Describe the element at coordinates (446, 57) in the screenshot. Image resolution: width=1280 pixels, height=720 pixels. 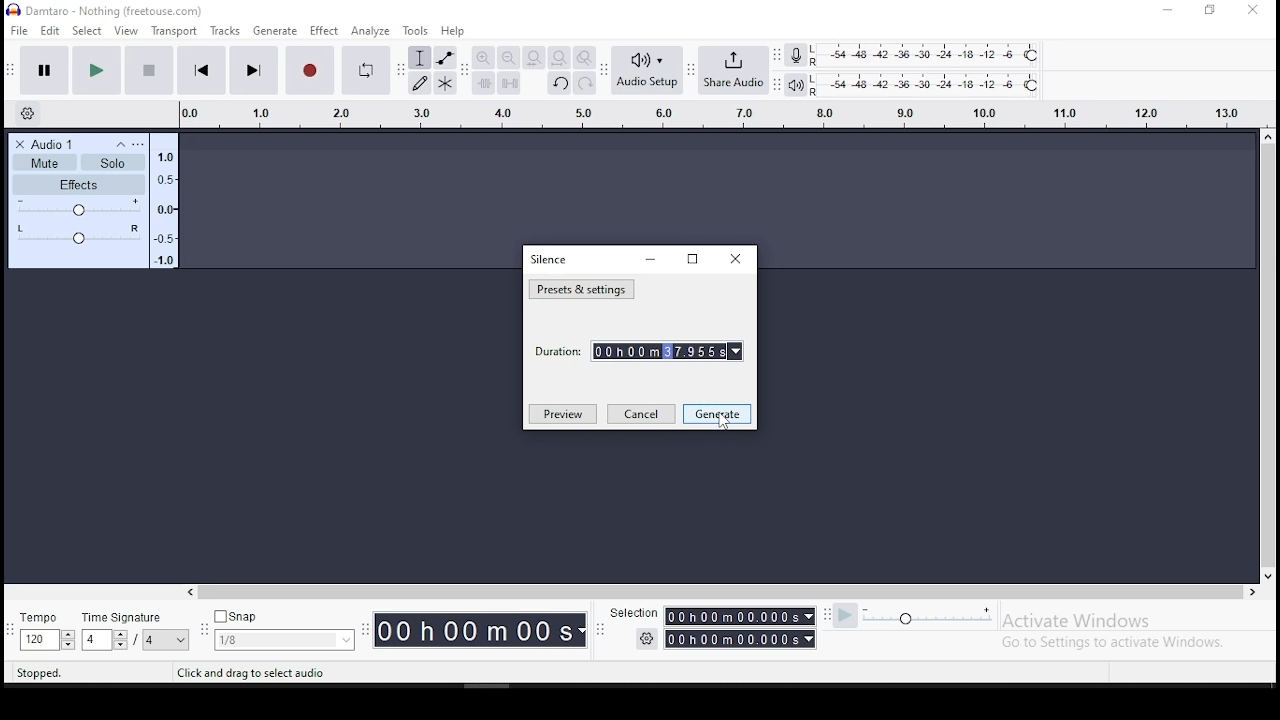
I see `envelope tool` at that location.